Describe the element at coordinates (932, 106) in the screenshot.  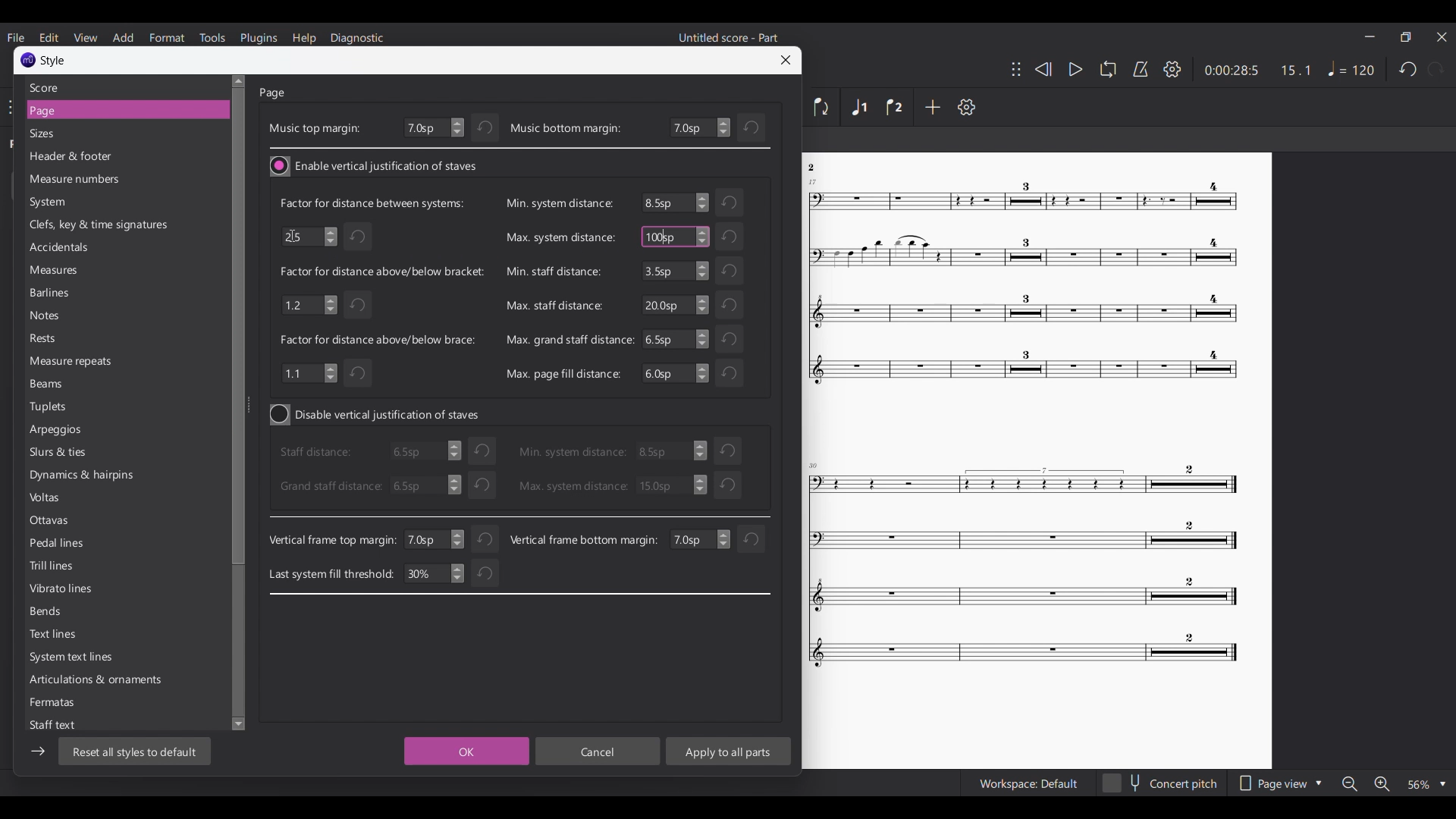
I see `Add` at that location.